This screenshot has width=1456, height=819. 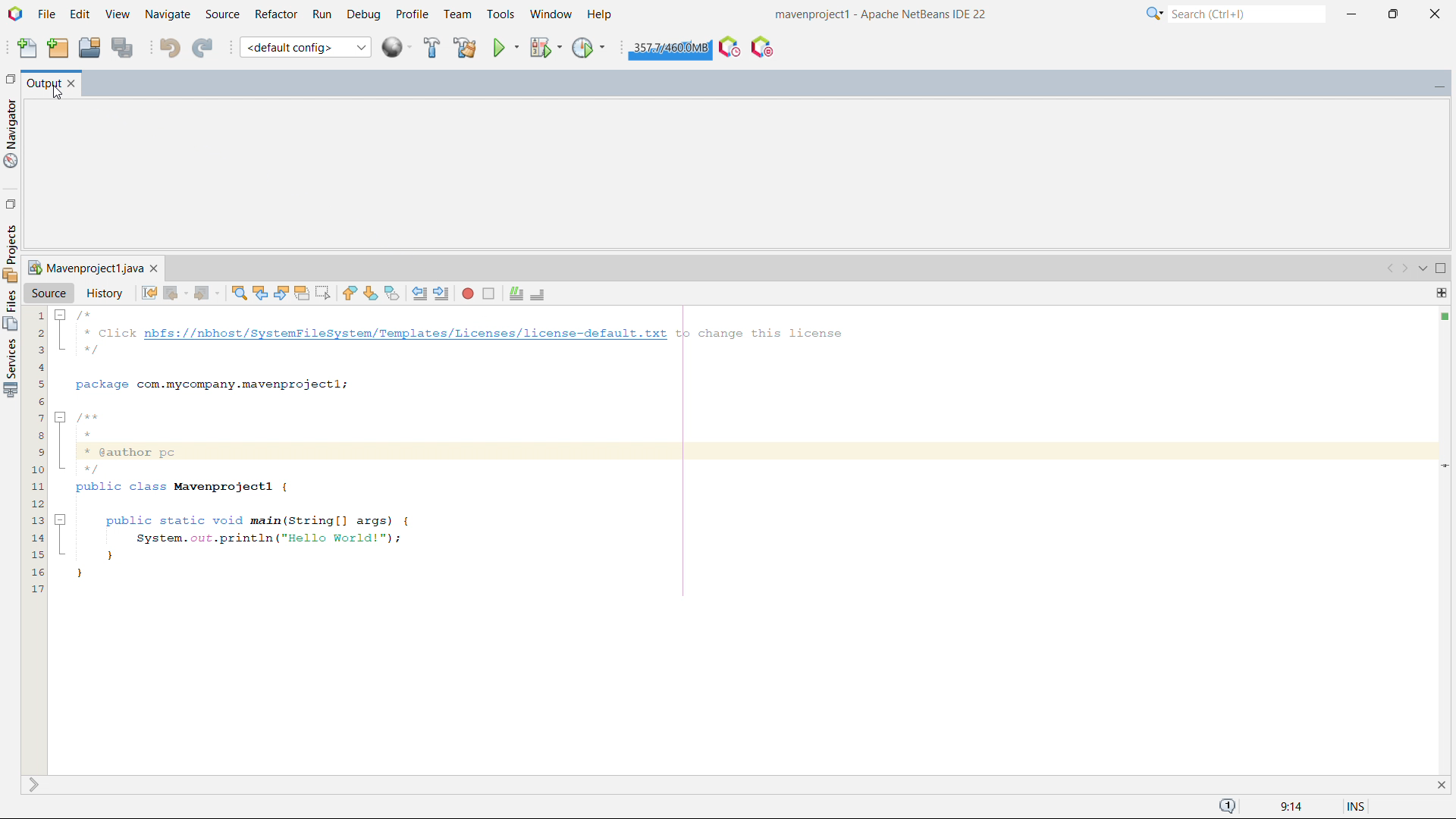 I want to click on open project, so click(x=89, y=45).